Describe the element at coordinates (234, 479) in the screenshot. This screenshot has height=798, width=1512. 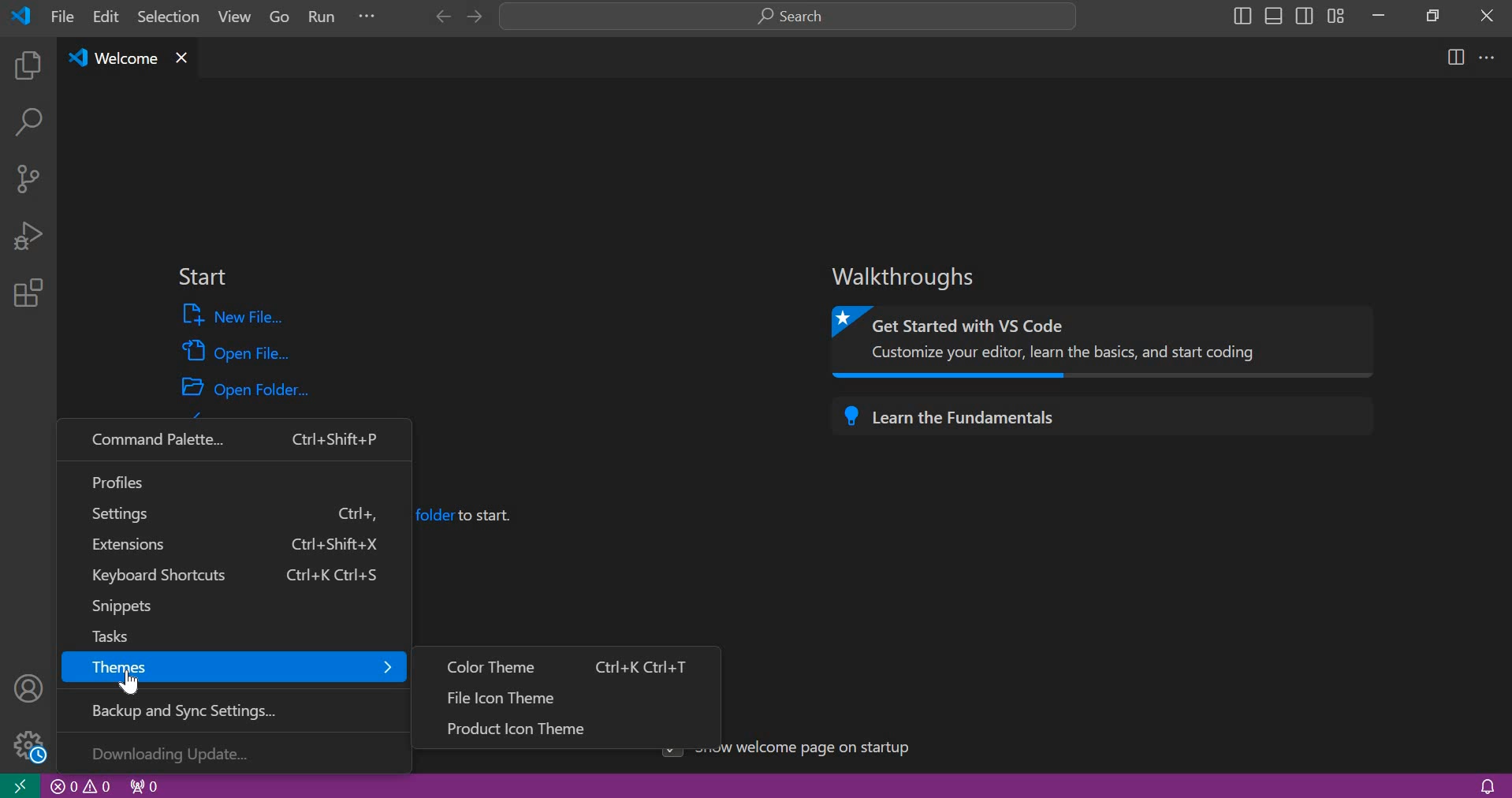
I see `profiles` at that location.